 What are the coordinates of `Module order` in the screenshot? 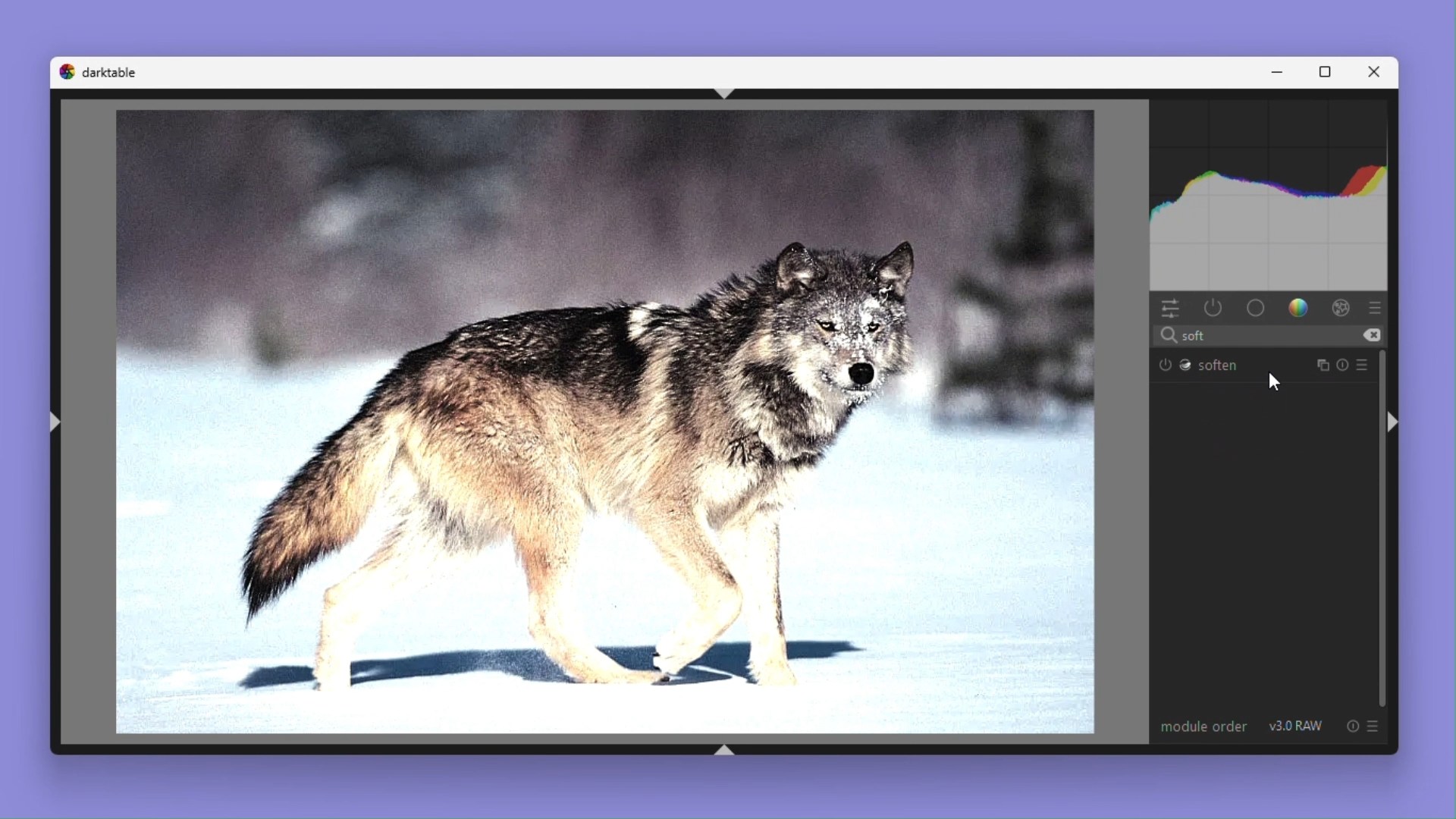 It's located at (1201, 725).